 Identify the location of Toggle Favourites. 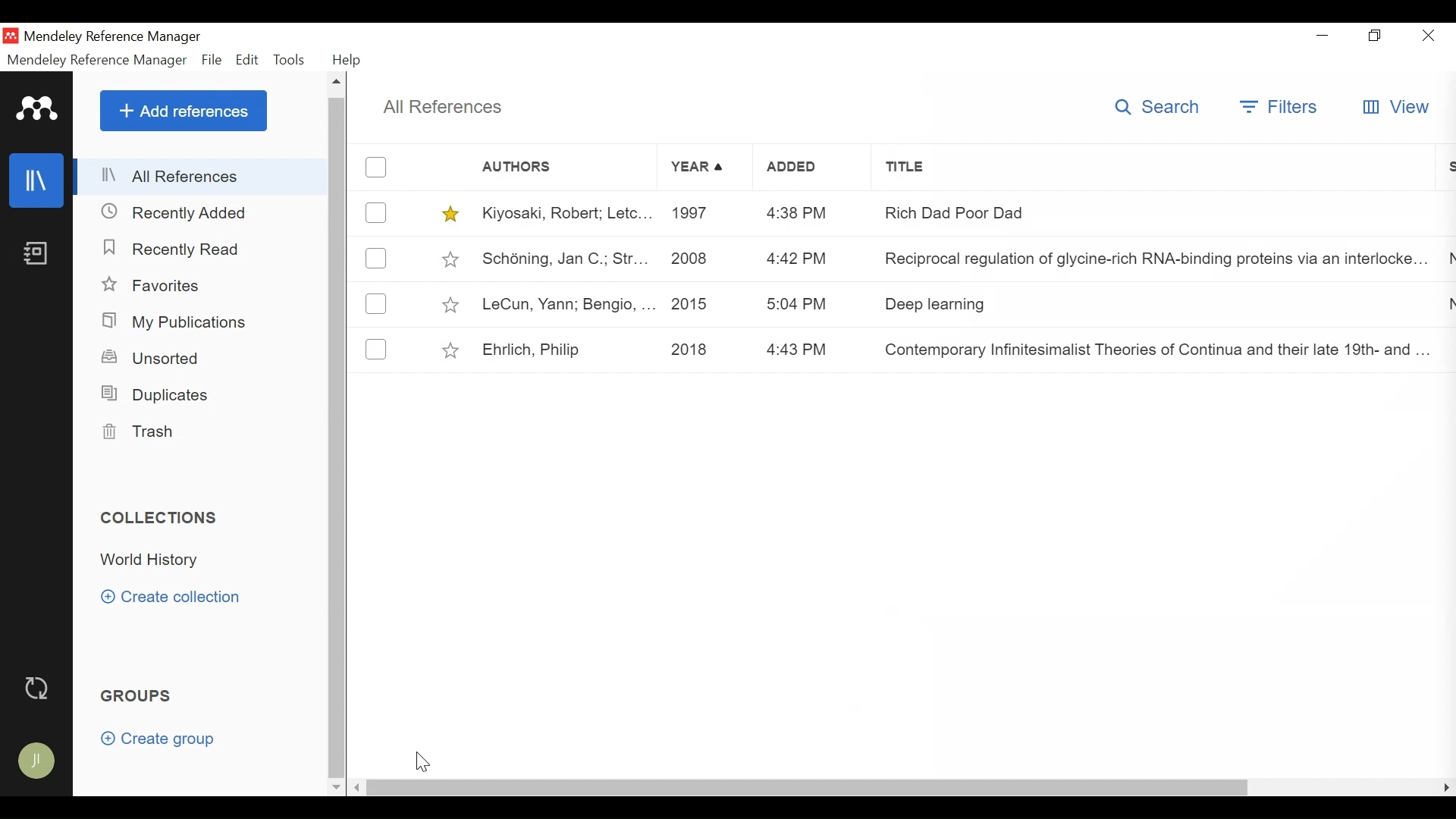
(452, 304).